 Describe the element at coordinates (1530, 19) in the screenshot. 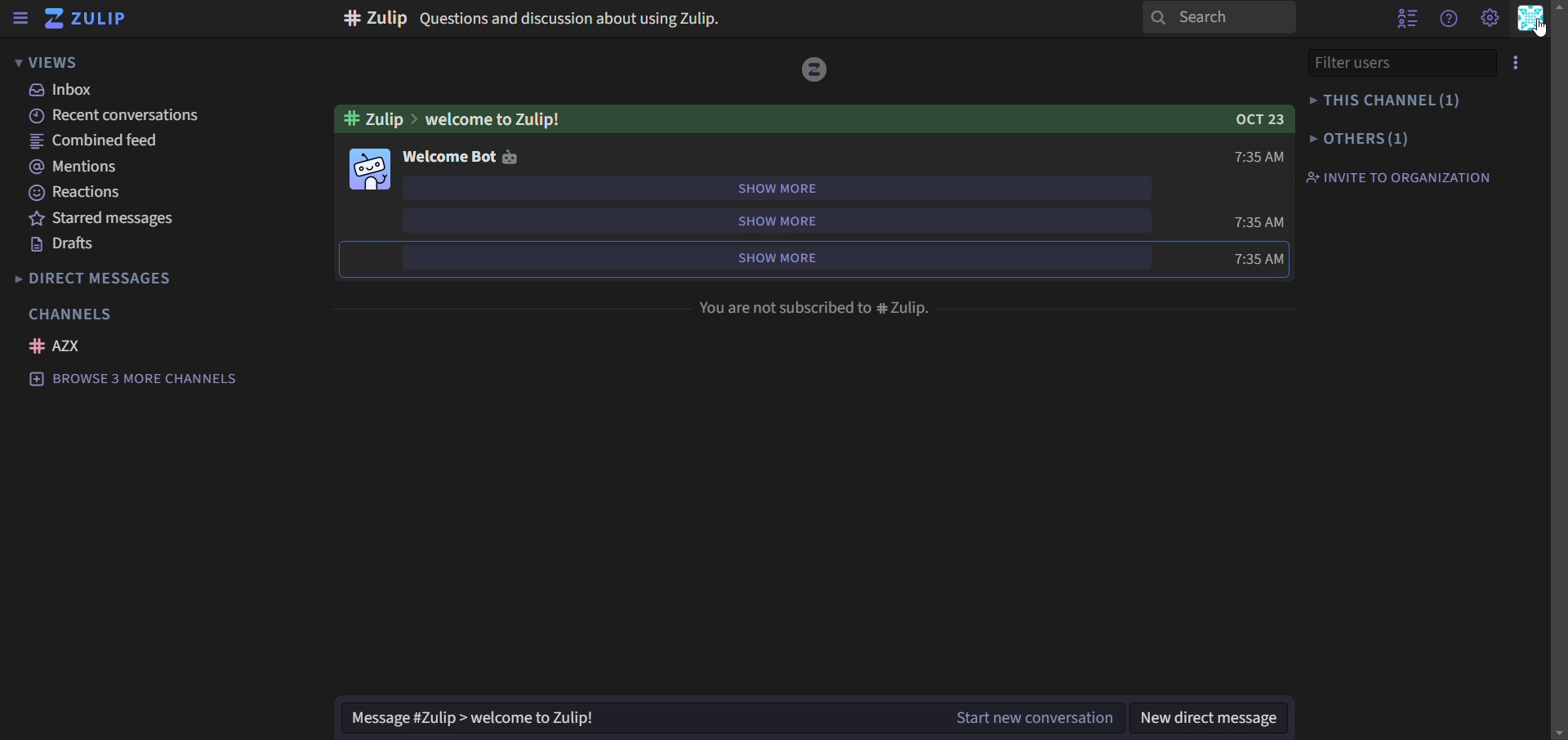

I see `personal menu` at that location.